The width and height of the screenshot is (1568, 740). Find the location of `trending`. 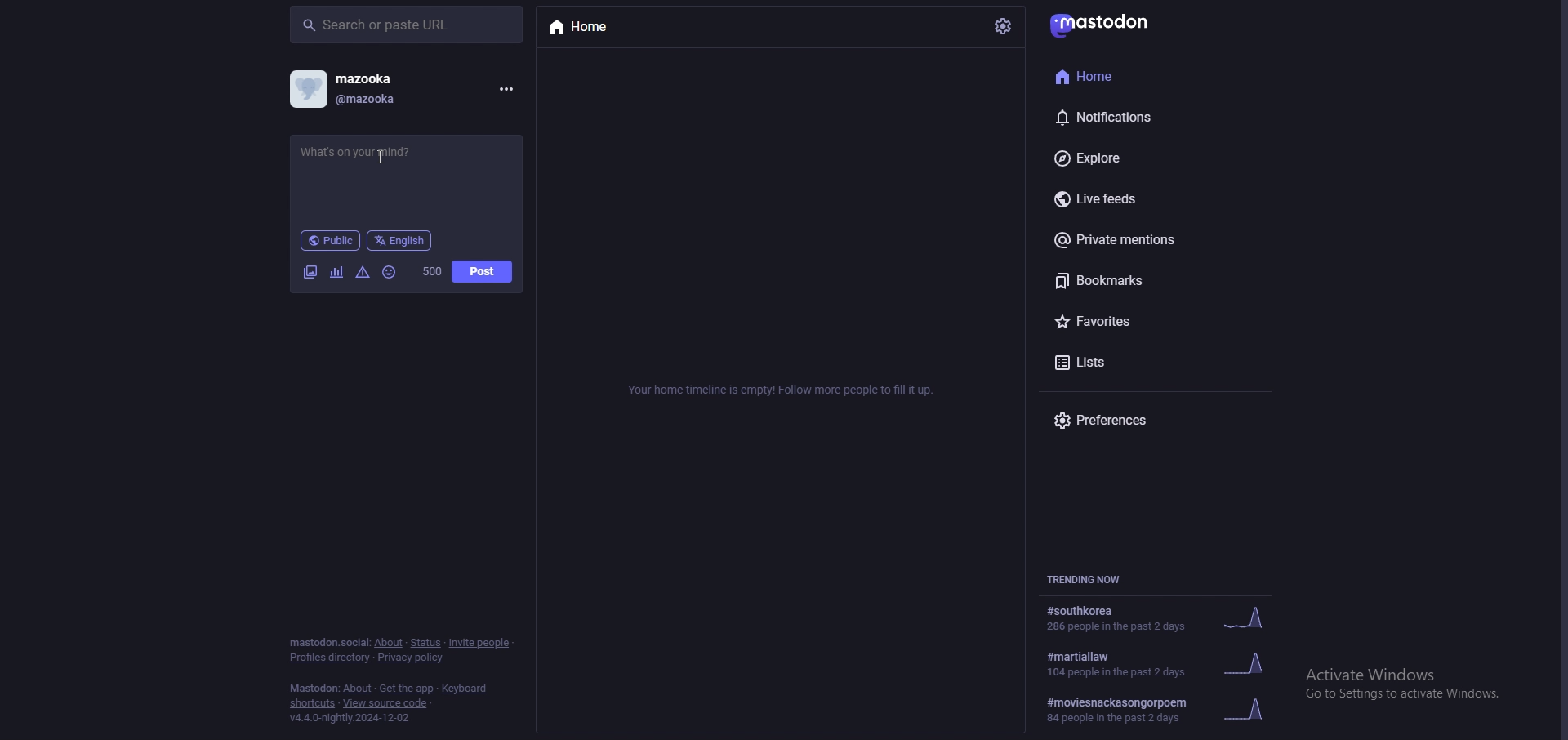

trending is located at coordinates (1154, 710).